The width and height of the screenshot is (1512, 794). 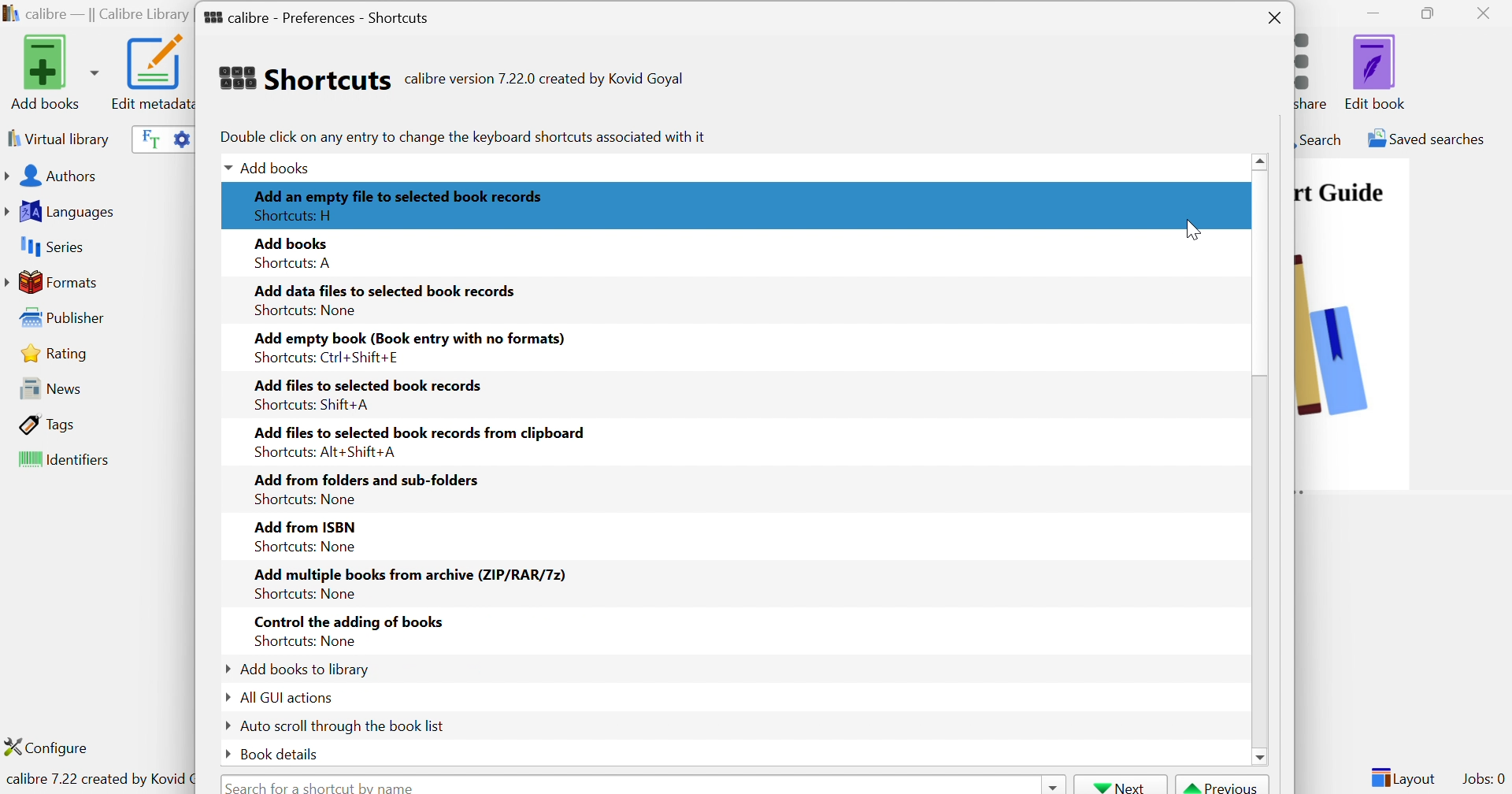 I want to click on Add books, so click(x=279, y=166).